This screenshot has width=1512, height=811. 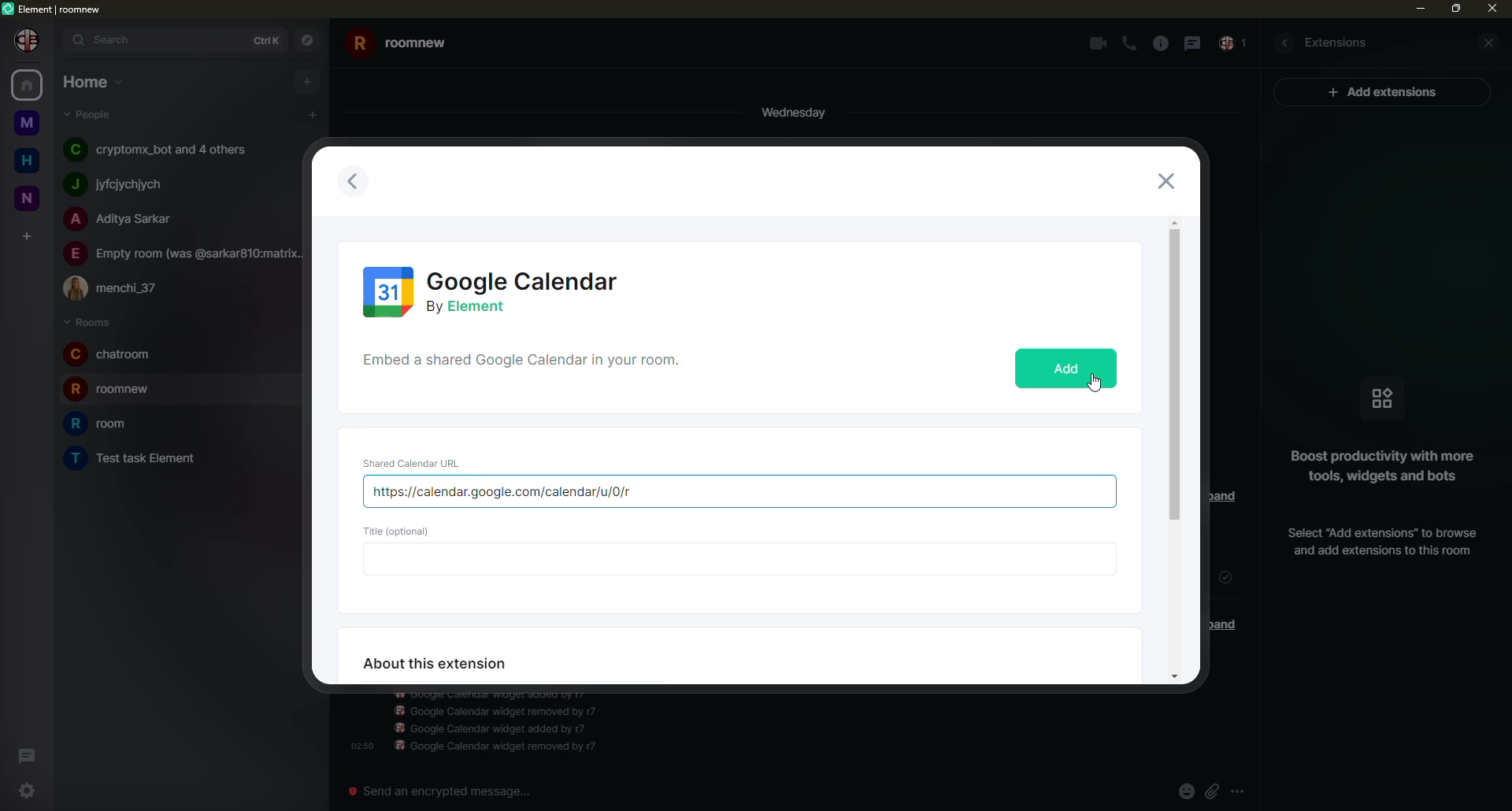 I want to click on threads, so click(x=25, y=753).